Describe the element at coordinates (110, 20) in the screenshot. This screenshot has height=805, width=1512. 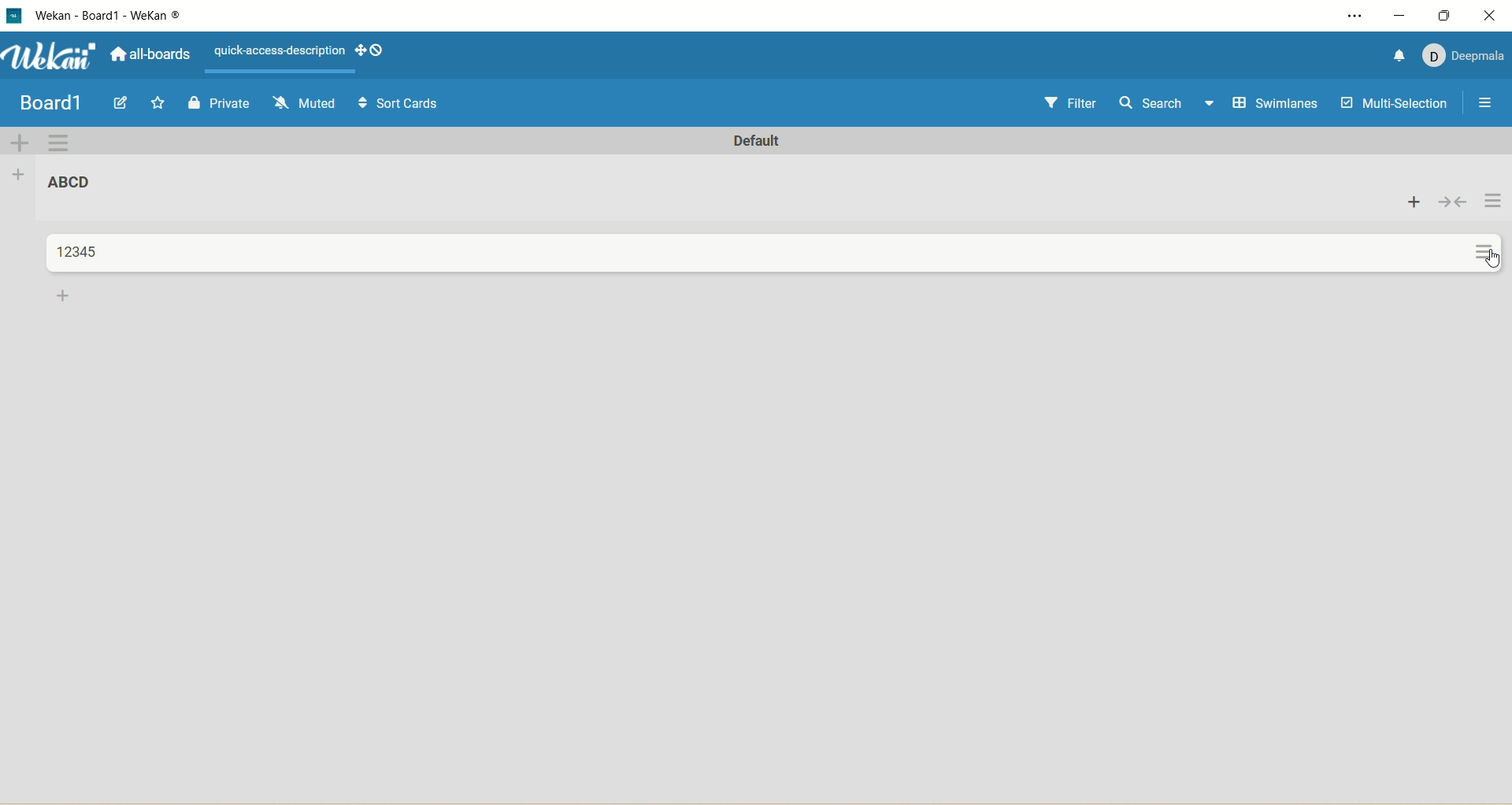
I see `title` at that location.